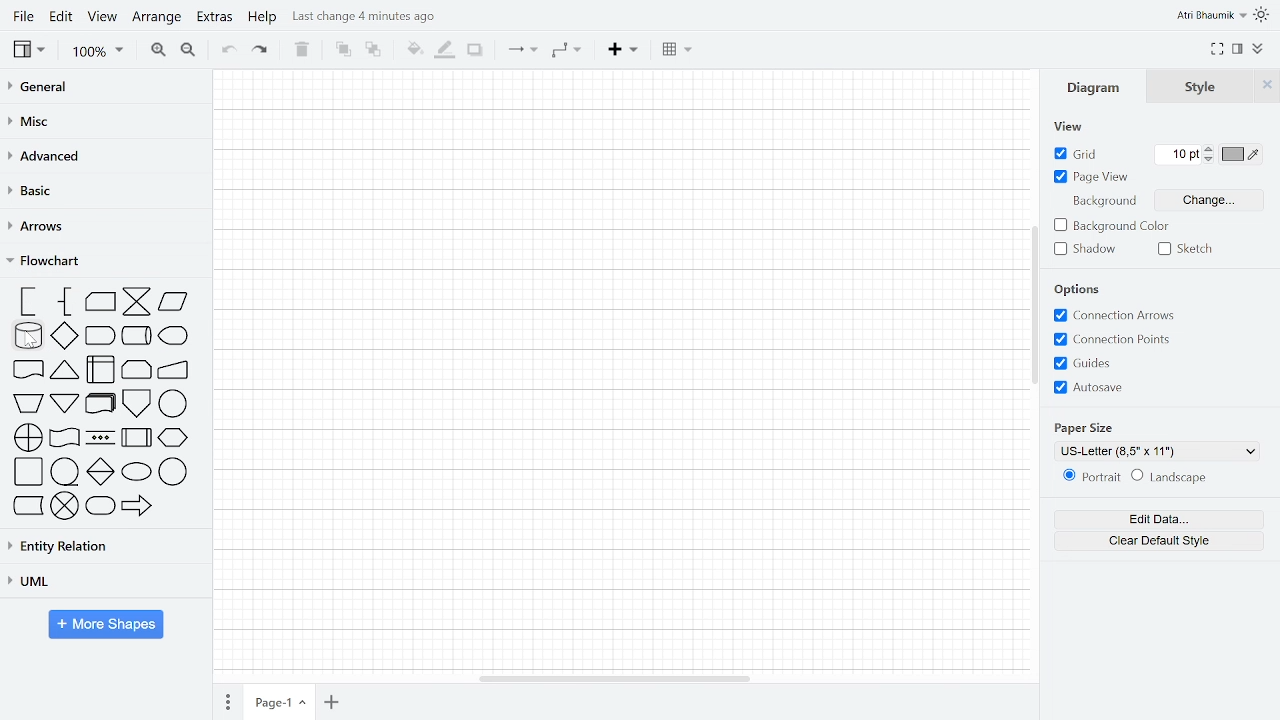  I want to click on transfer, so click(139, 508).